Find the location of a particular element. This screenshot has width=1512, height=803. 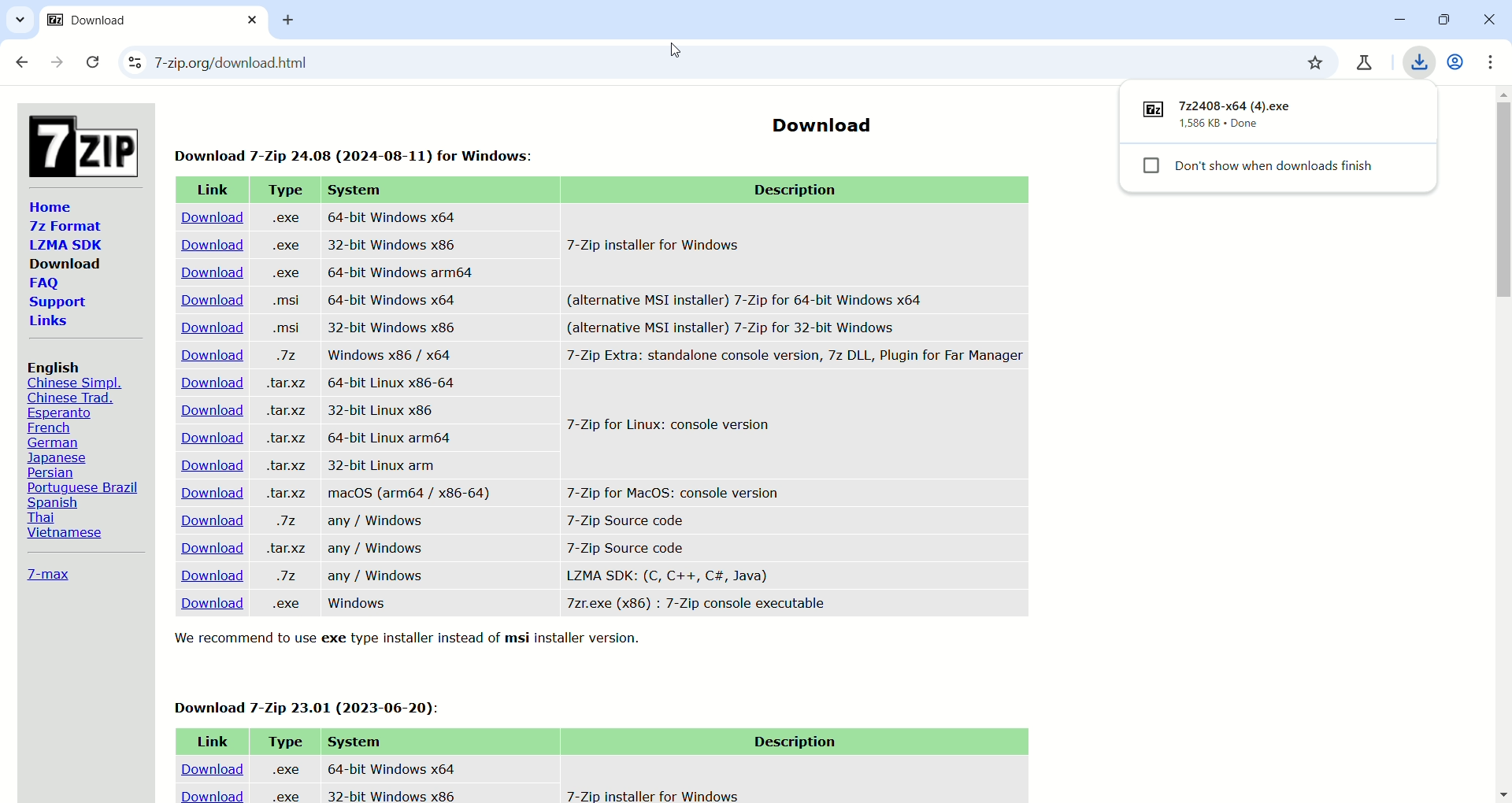

Download is located at coordinates (205, 521).